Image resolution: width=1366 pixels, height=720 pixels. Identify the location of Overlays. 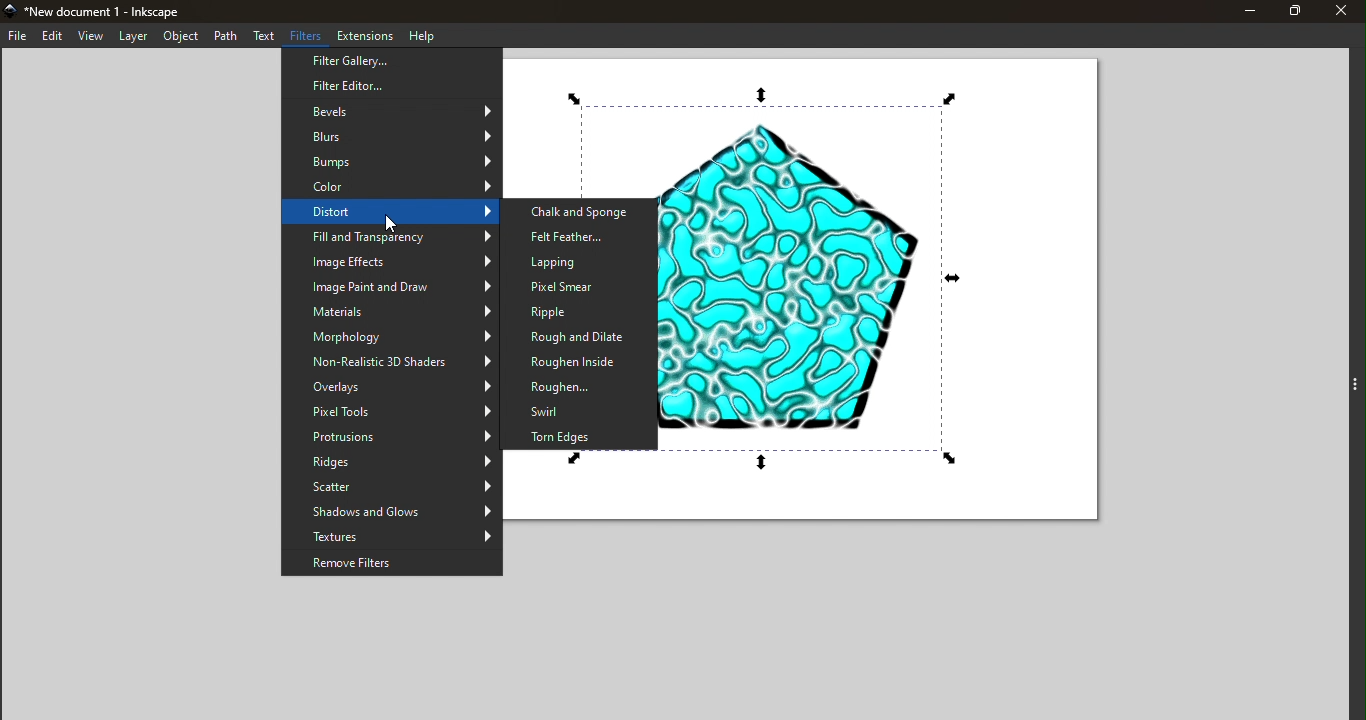
(391, 387).